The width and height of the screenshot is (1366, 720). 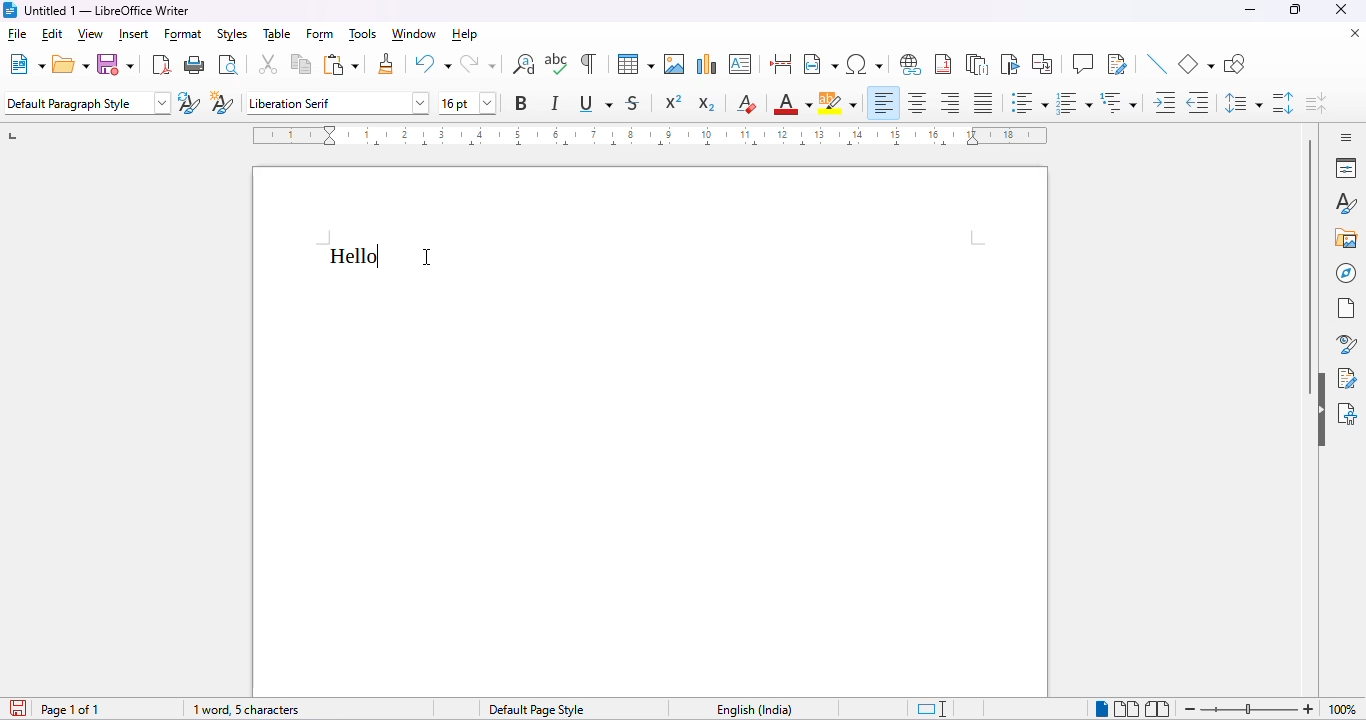 What do you see at coordinates (597, 104) in the screenshot?
I see `underline` at bounding box center [597, 104].